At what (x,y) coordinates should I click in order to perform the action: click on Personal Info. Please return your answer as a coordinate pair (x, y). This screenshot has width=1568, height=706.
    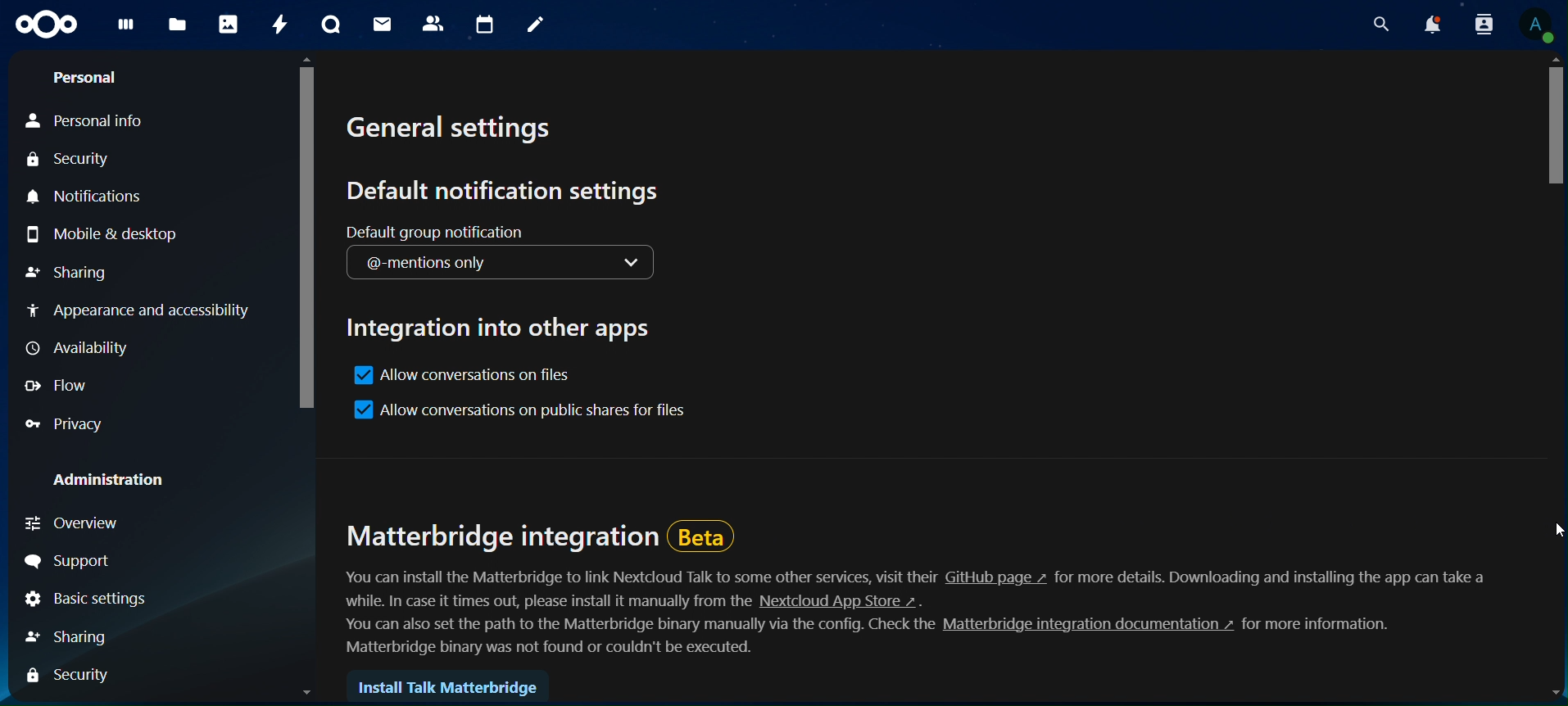
    Looking at the image, I should click on (81, 122).